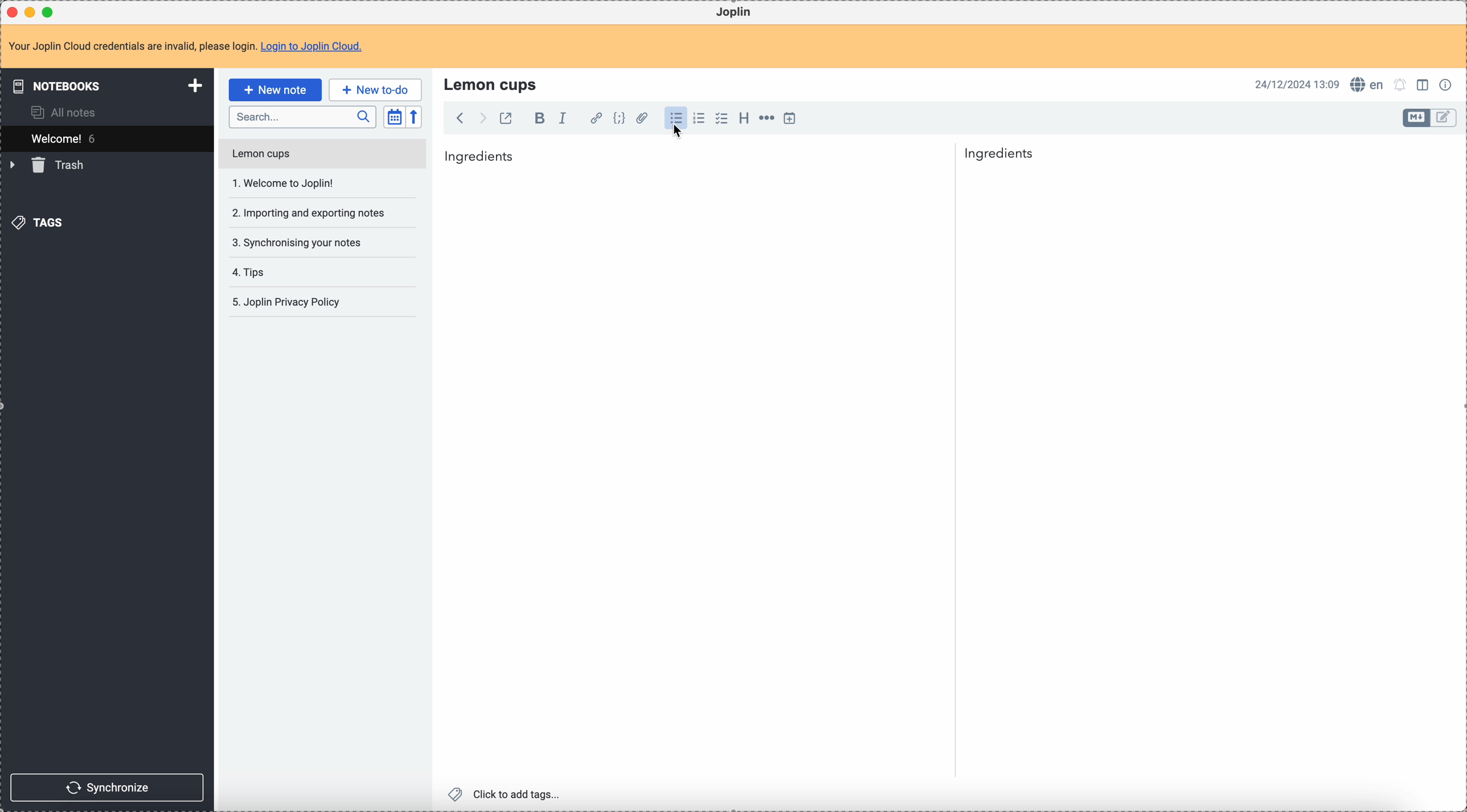 The height and width of the screenshot is (812, 1467). I want to click on click on new note, so click(274, 89).